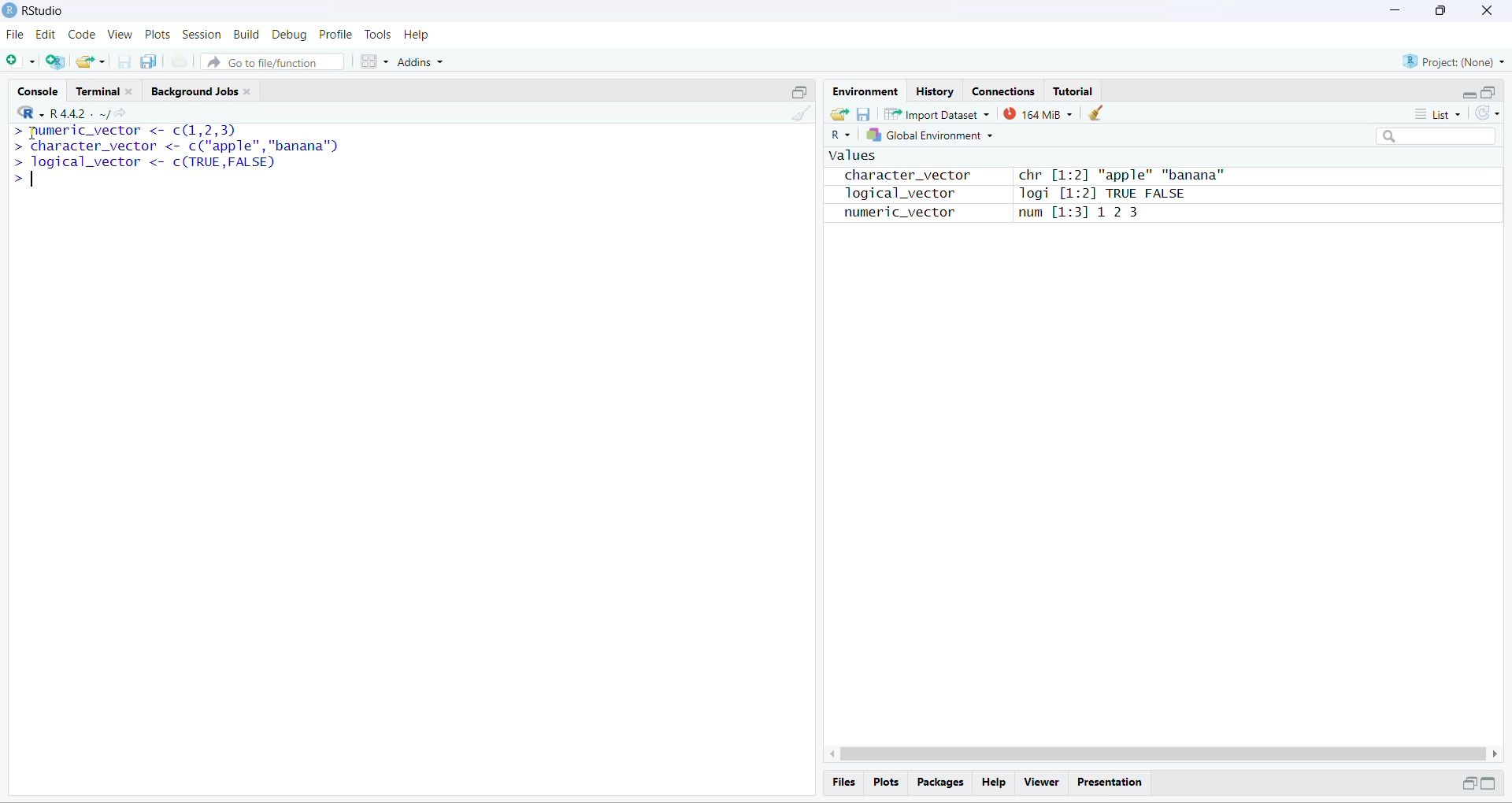 The height and width of the screenshot is (803, 1512). I want to click on Project: (None), so click(1455, 61).